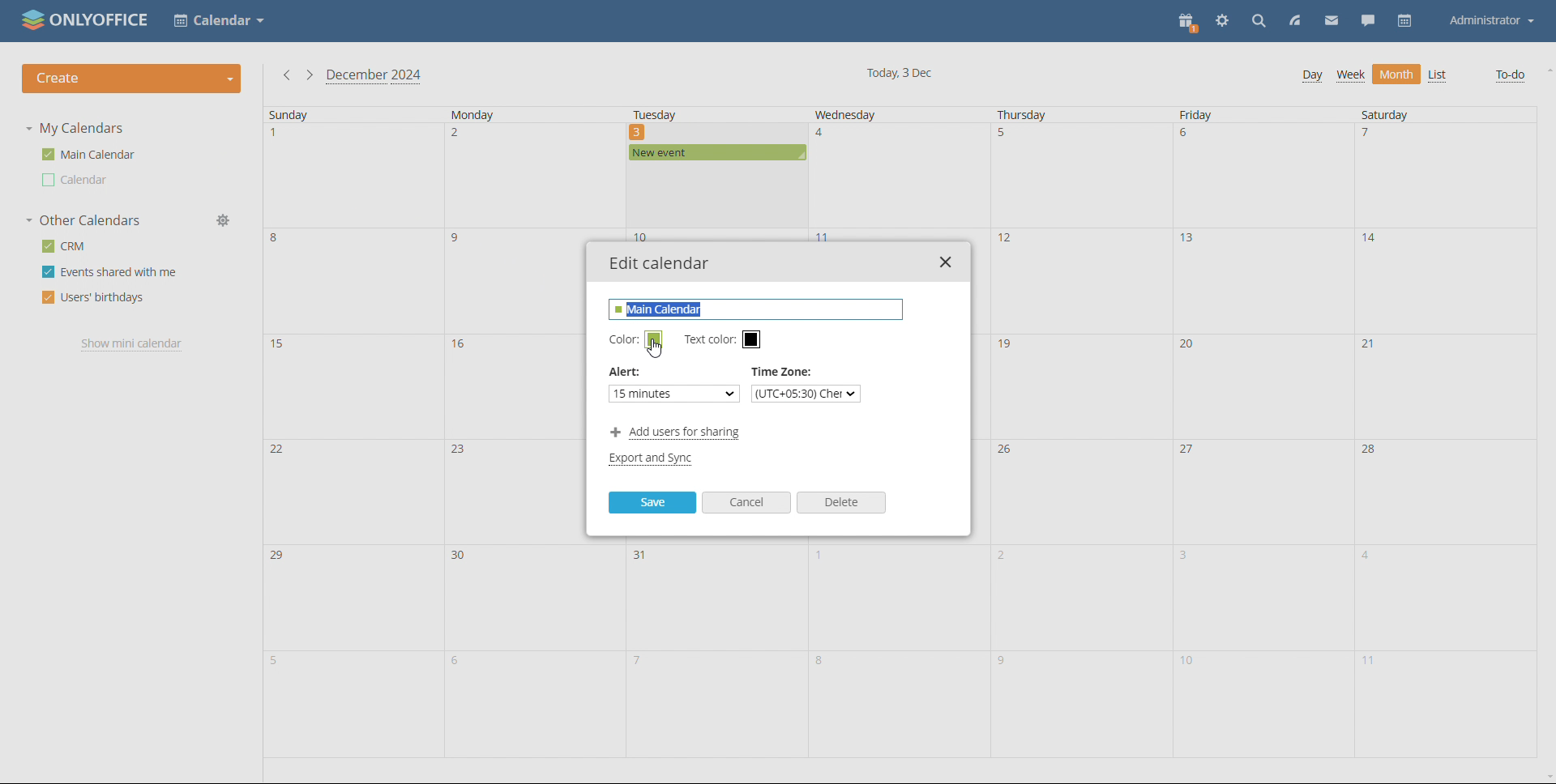  What do you see at coordinates (660, 263) in the screenshot?
I see `edit calendar` at bounding box center [660, 263].